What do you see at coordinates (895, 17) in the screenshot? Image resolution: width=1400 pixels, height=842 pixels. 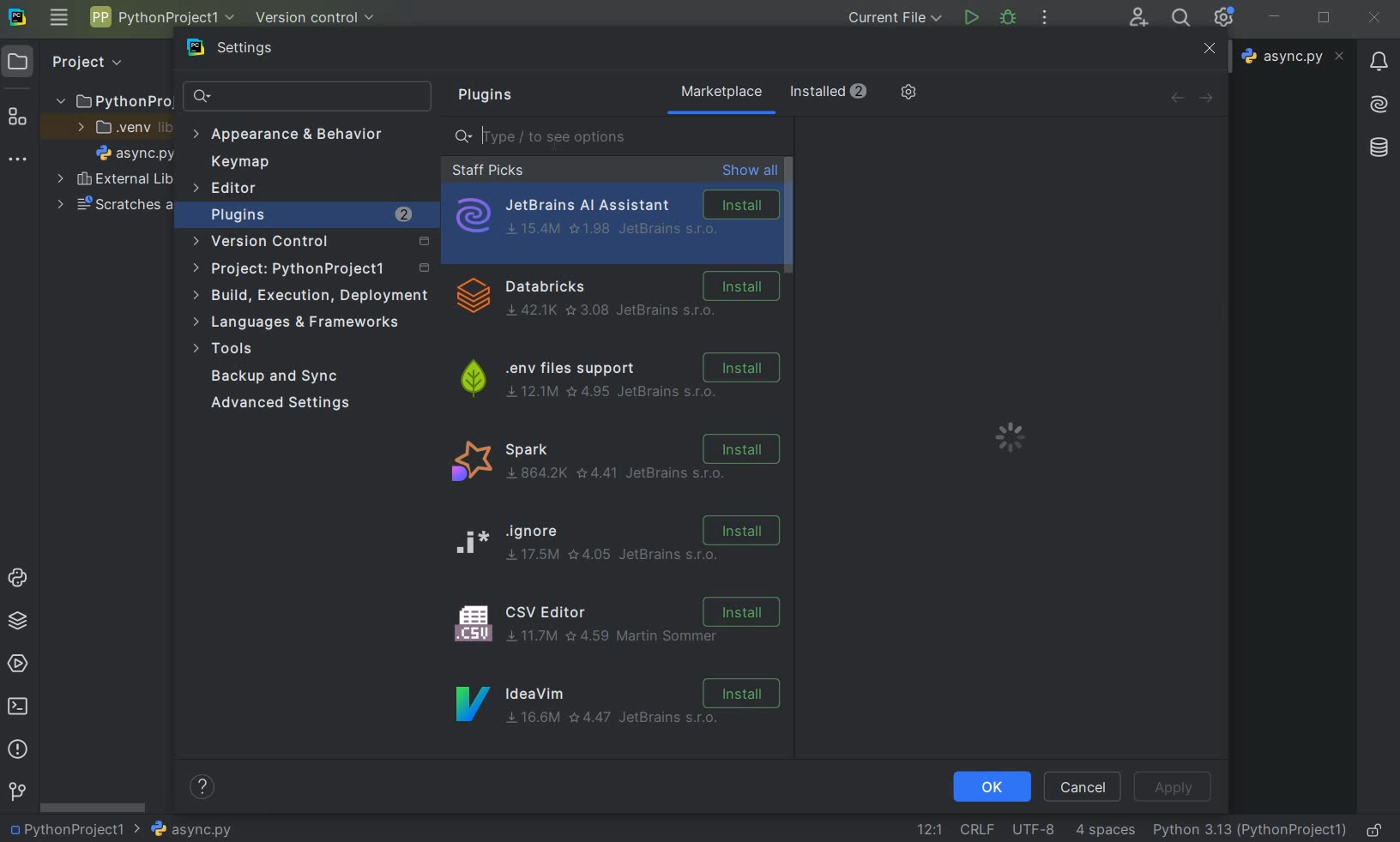 I see `current file` at bounding box center [895, 17].